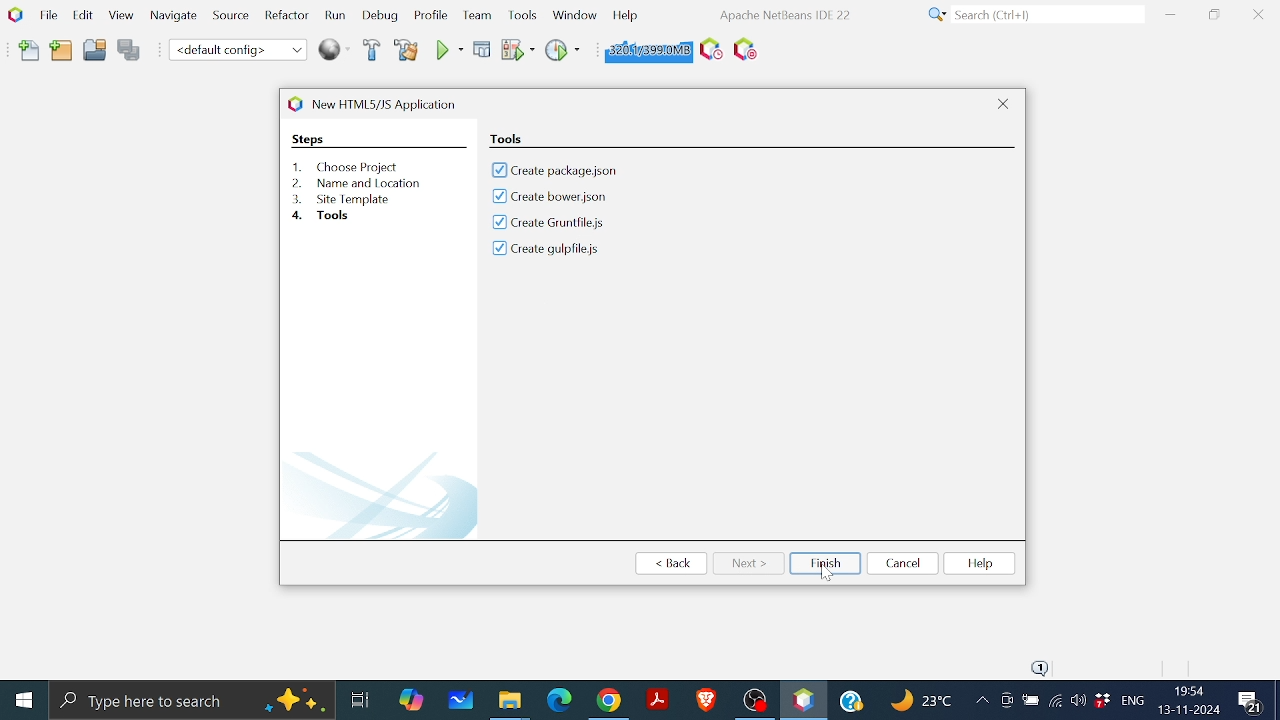 This screenshot has height=720, width=1280. What do you see at coordinates (14, 14) in the screenshot?
I see `NetBeans logo` at bounding box center [14, 14].